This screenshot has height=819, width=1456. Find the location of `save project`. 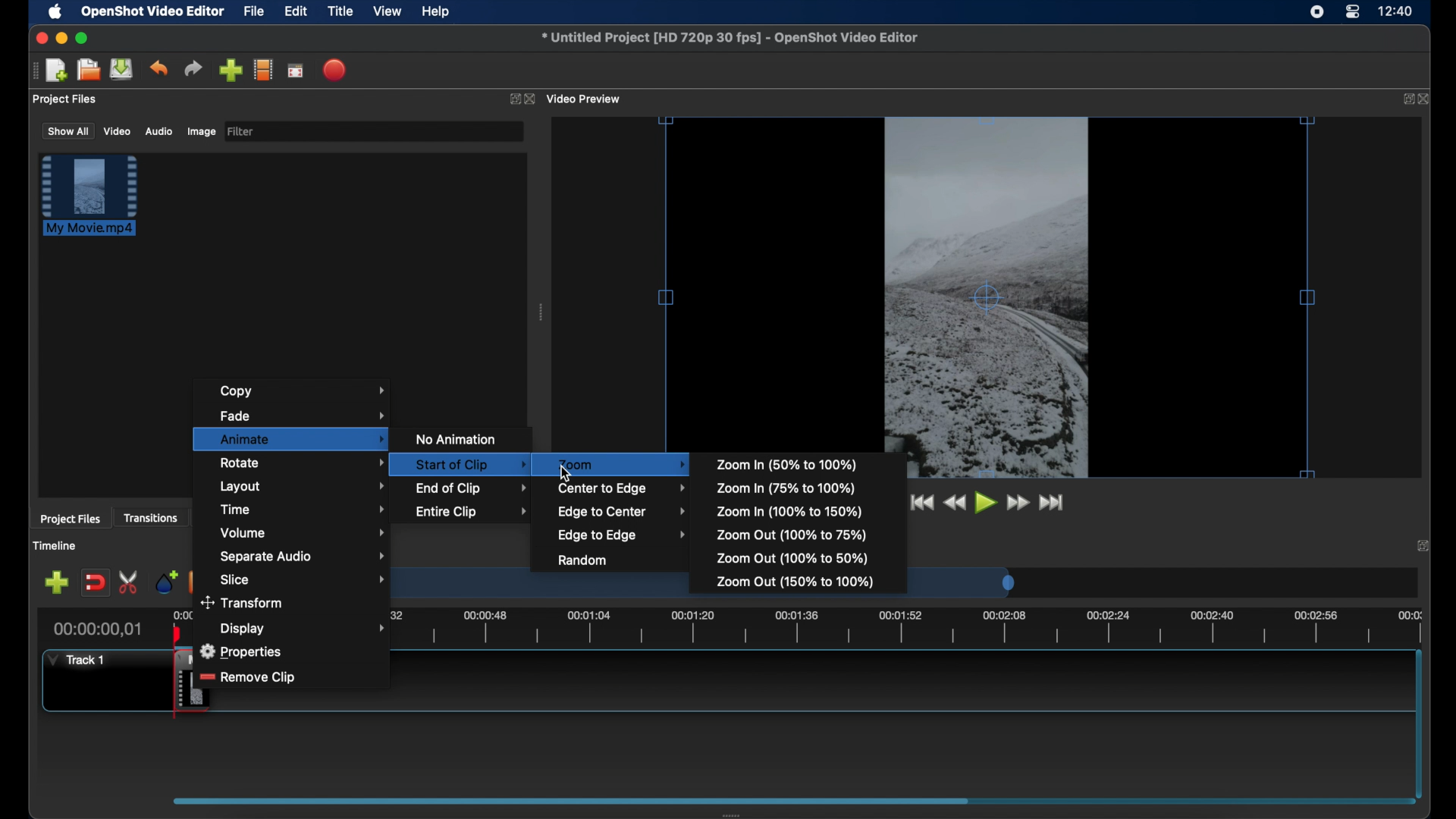

save project is located at coordinates (121, 69).